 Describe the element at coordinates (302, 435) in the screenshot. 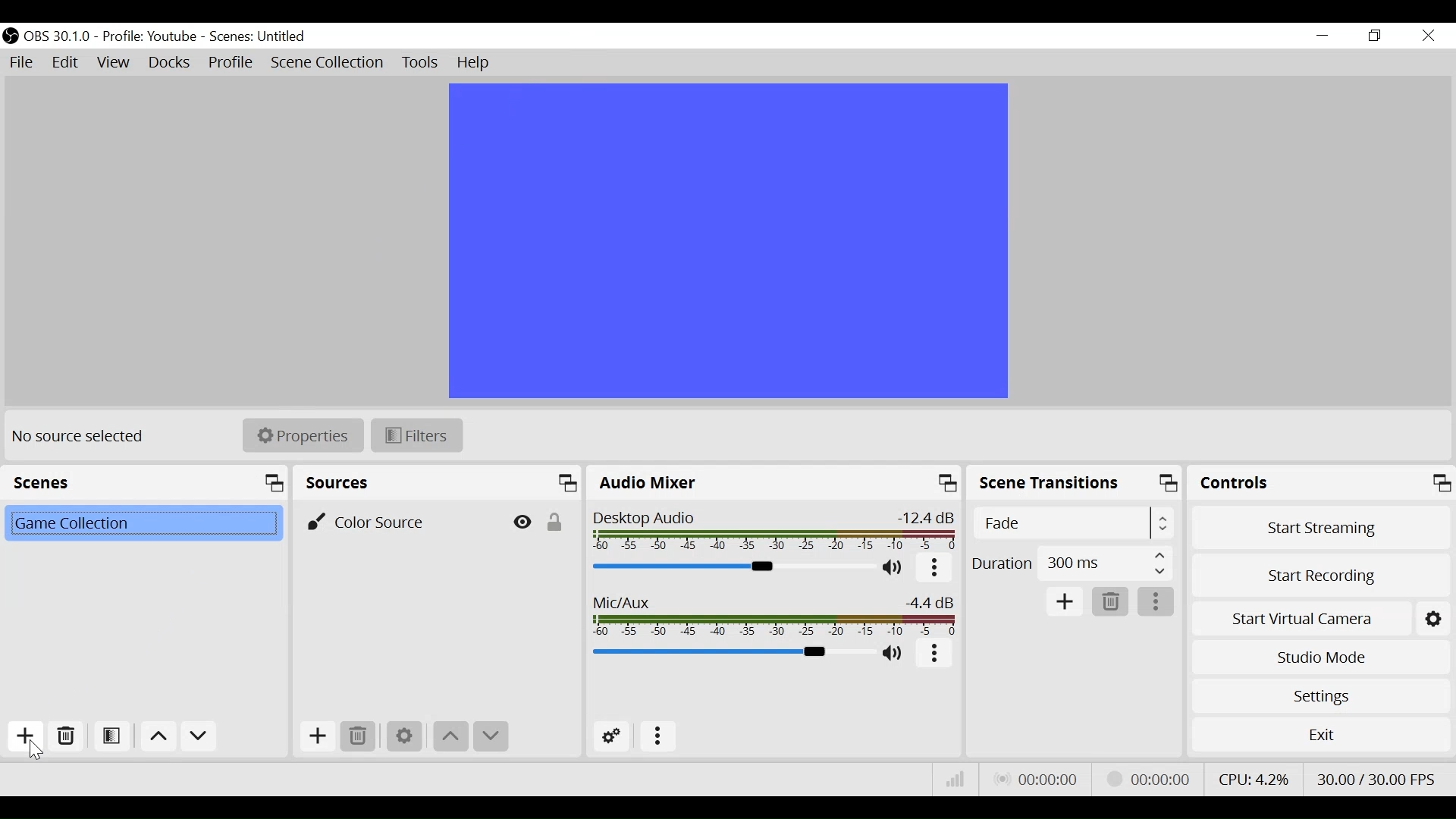

I see `Properties` at that location.